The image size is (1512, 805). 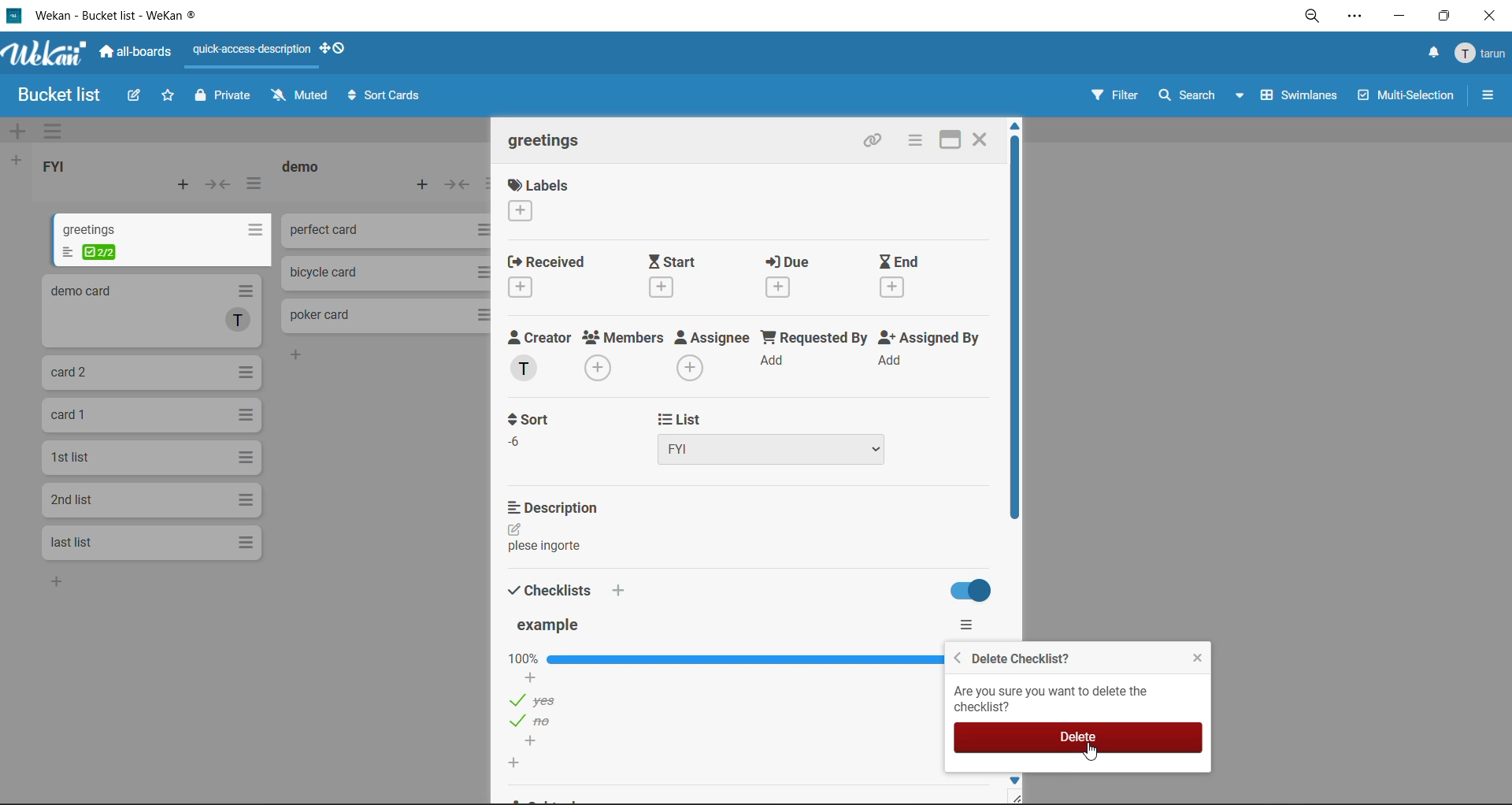 What do you see at coordinates (303, 168) in the screenshot?
I see `list title` at bounding box center [303, 168].